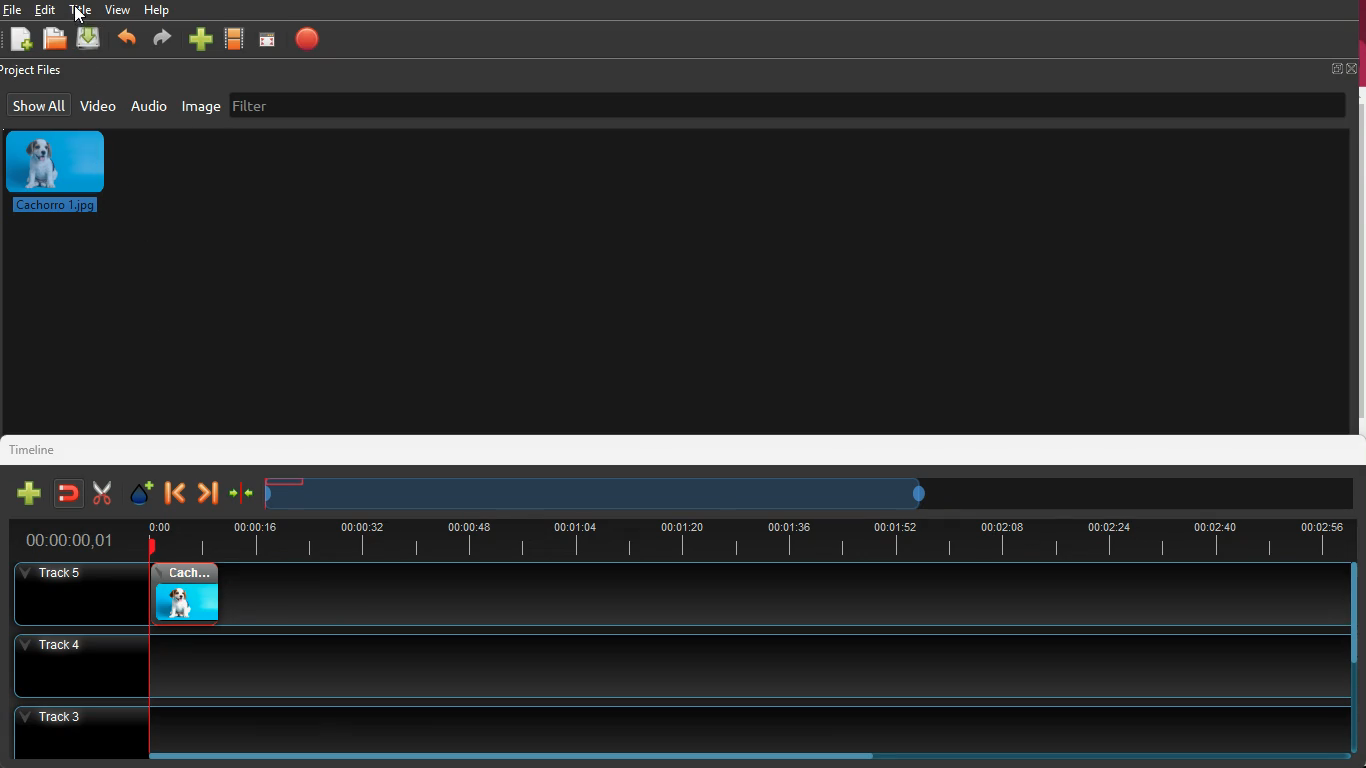 The height and width of the screenshot is (768, 1366). What do you see at coordinates (200, 41) in the screenshot?
I see `add` at bounding box center [200, 41].